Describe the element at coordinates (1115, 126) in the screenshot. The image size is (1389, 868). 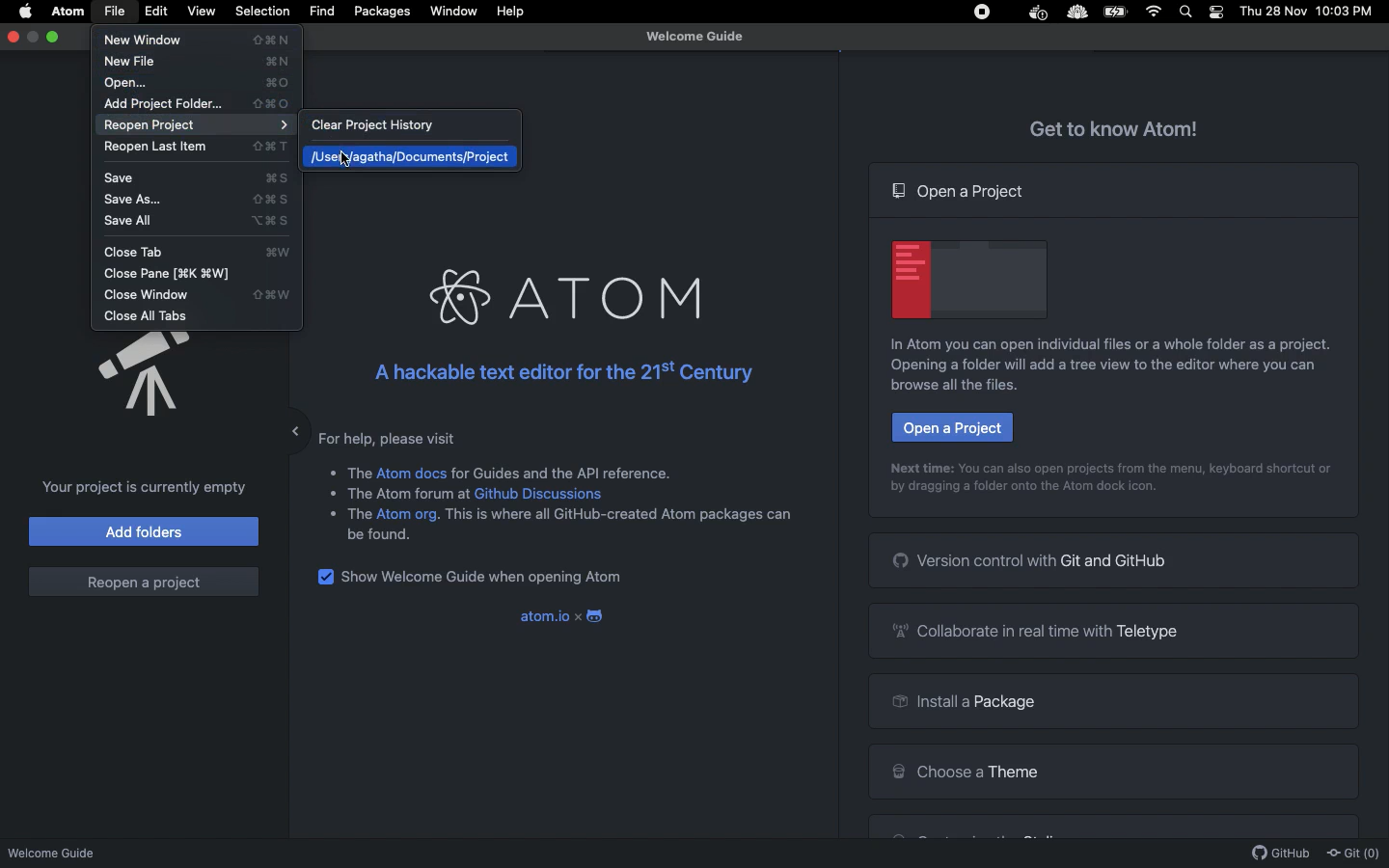
I see `Get to know Atom` at that location.